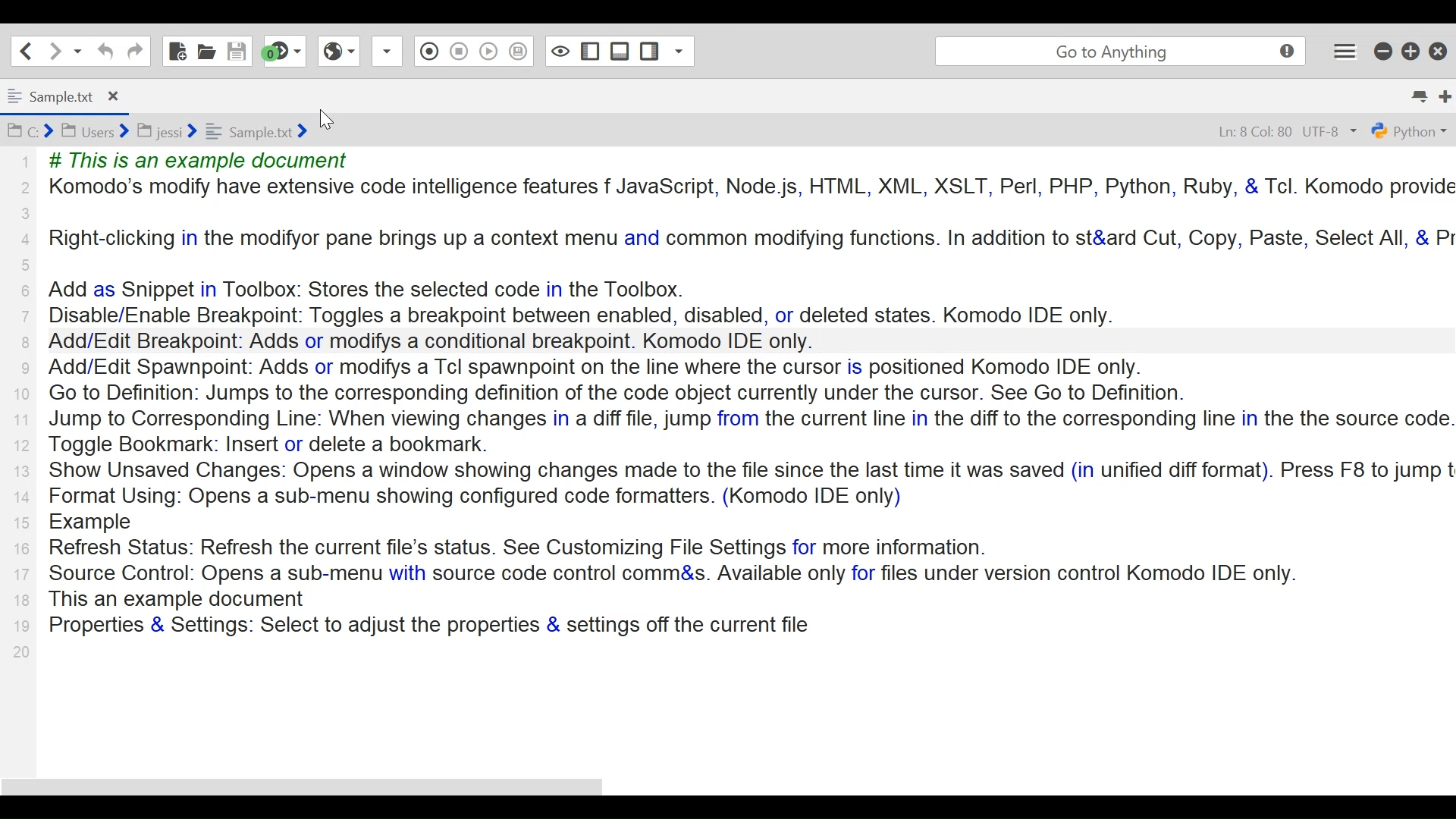  What do you see at coordinates (206, 51) in the screenshot?
I see `Open File` at bounding box center [206, 51].